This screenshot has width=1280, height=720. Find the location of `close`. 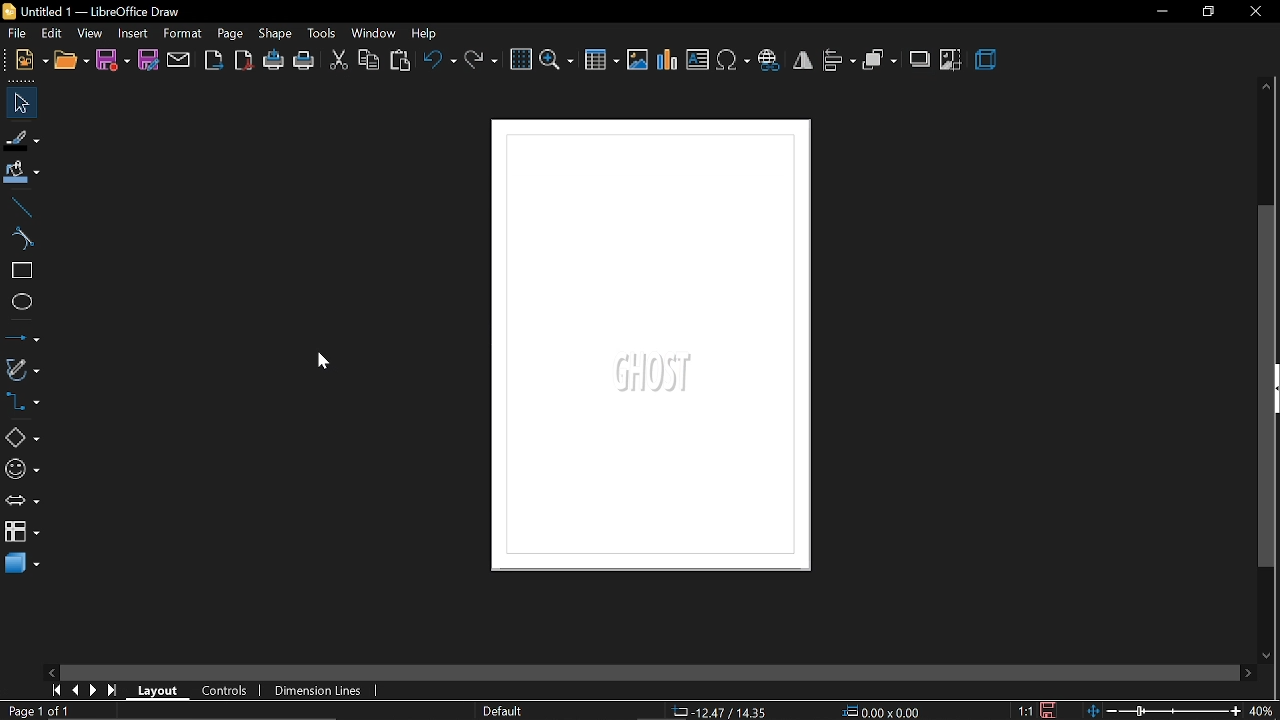

close is located at coordinates (1256, 13).